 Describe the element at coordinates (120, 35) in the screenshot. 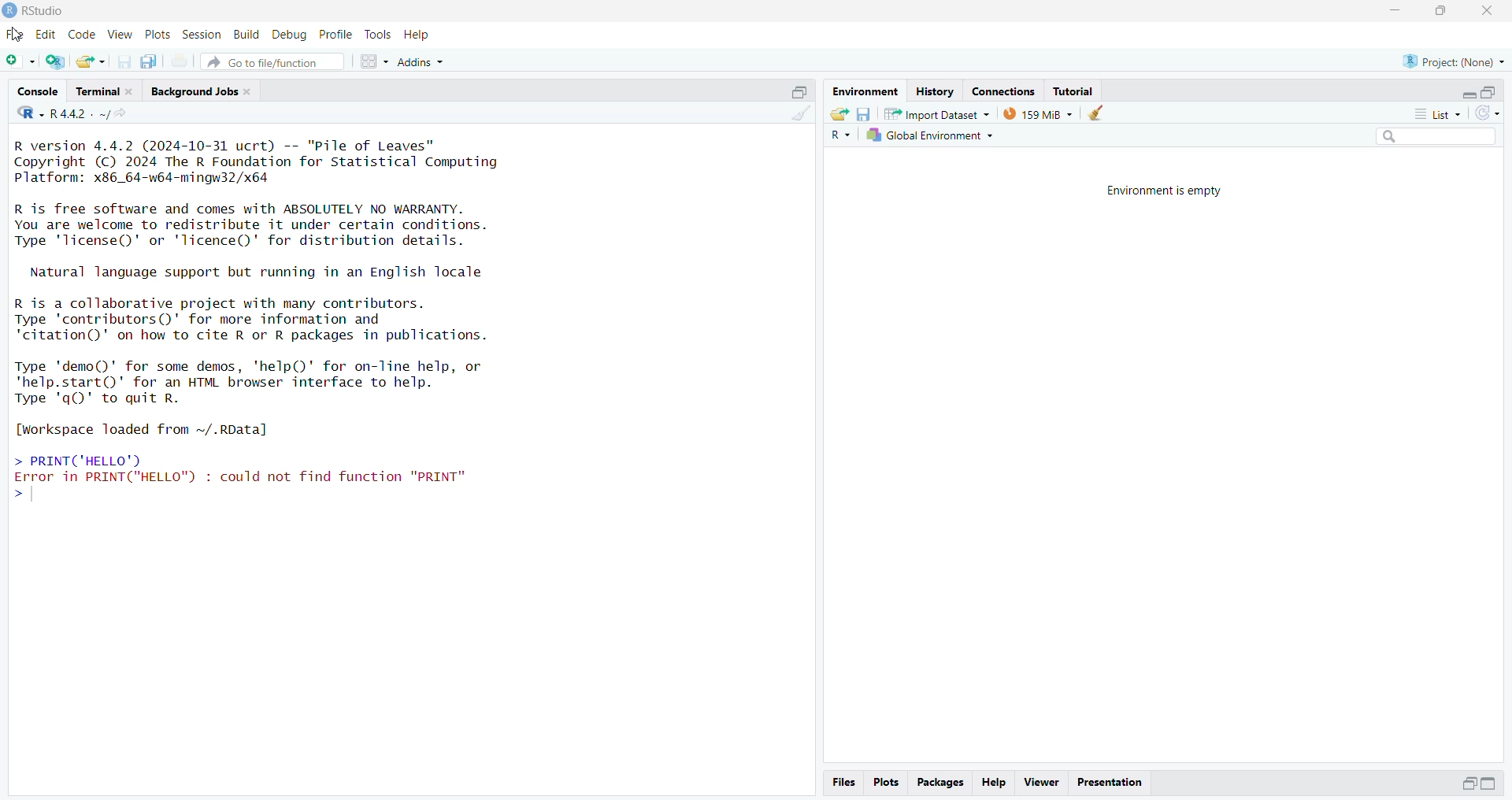

I see `view` at that location.